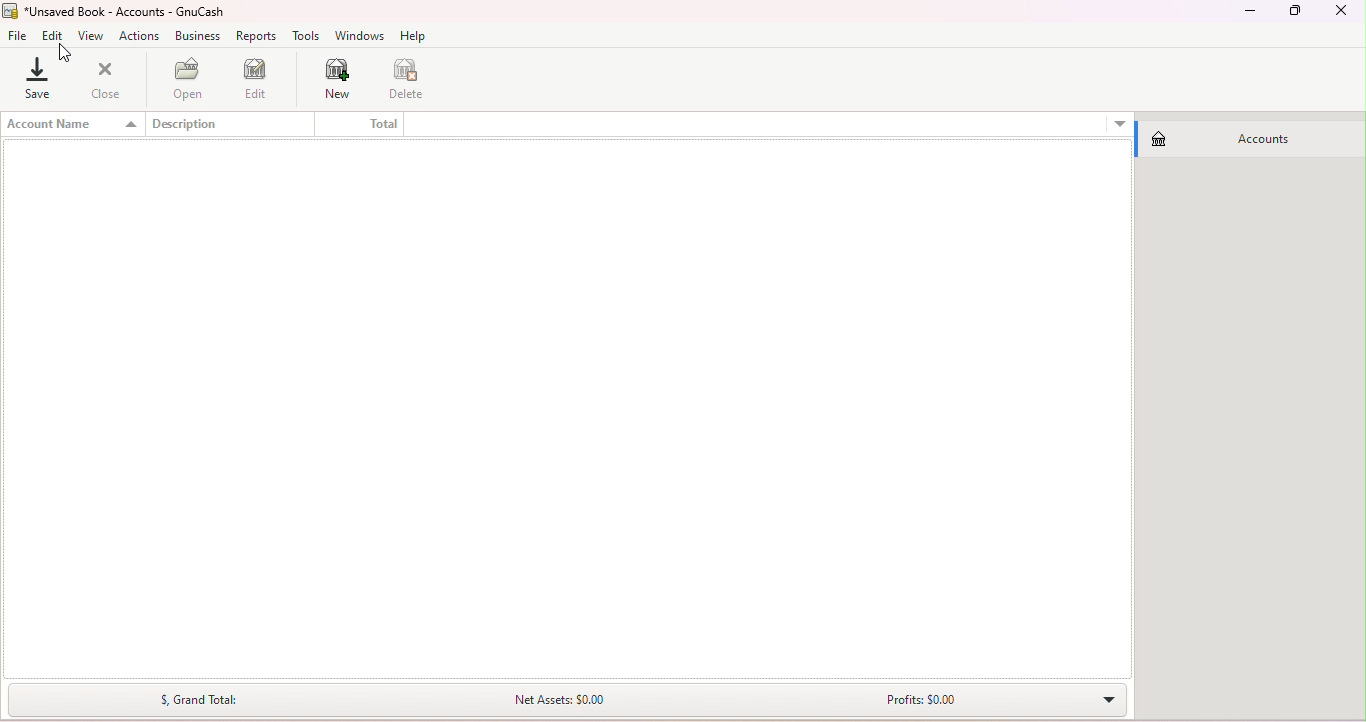 The height and width of the screenshot is (722, 1366). I want to click on Windows, so click(358, 35).